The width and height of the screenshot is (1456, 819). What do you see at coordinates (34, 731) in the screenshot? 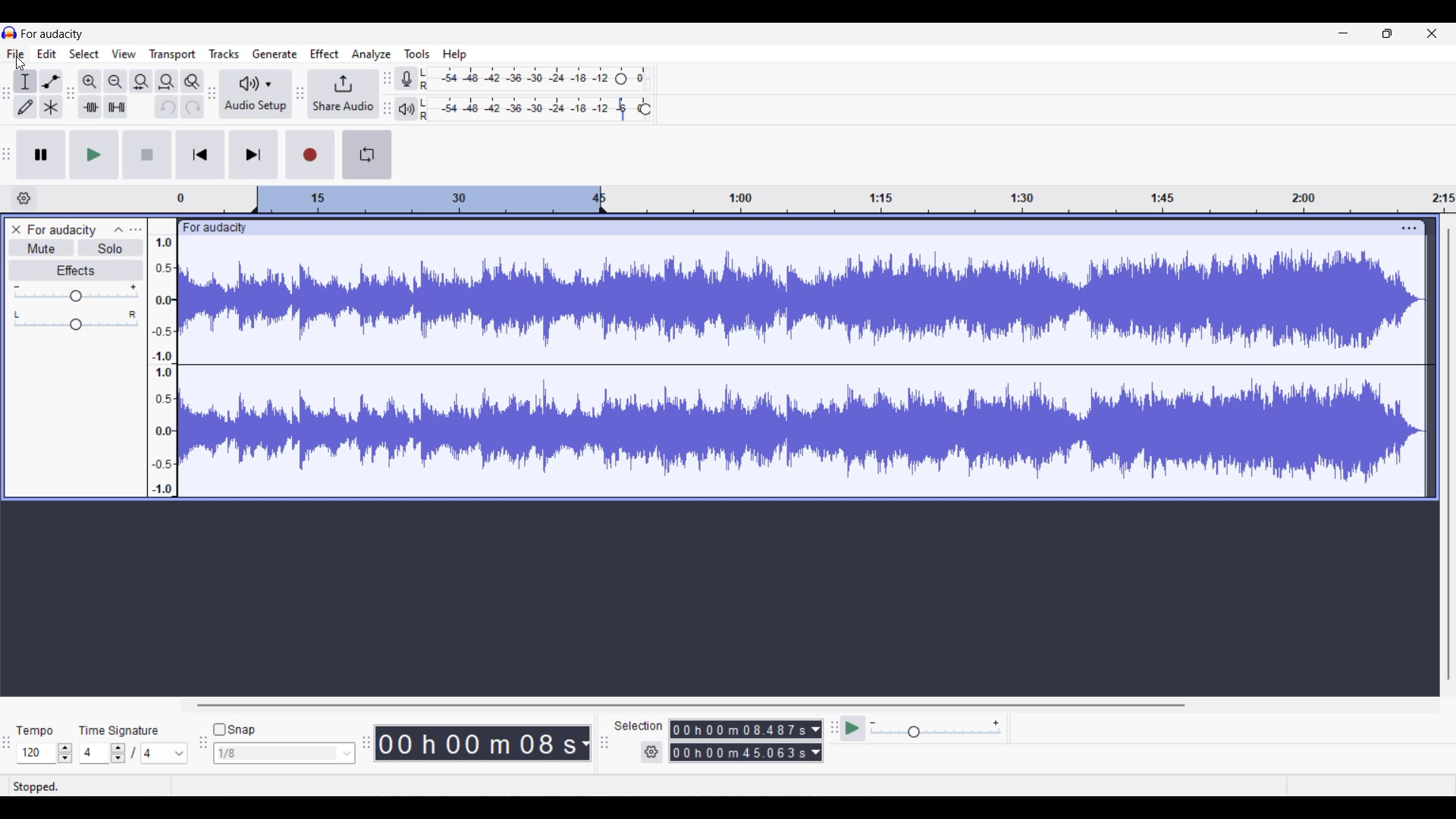
I see `Tempo settings` at bounding box center [34, 731].